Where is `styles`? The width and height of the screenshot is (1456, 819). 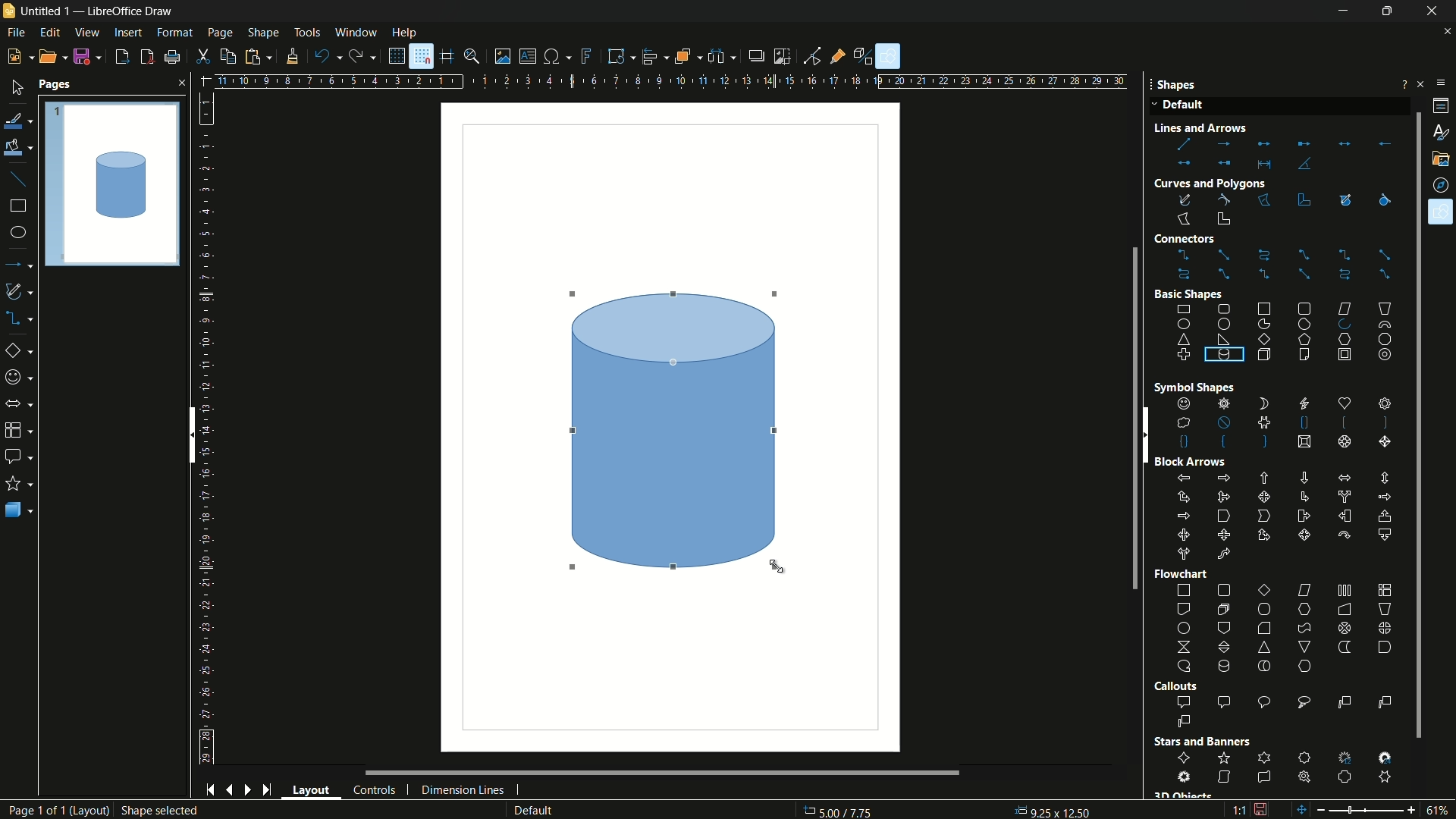 styles is located at coordinates (1439, 131).